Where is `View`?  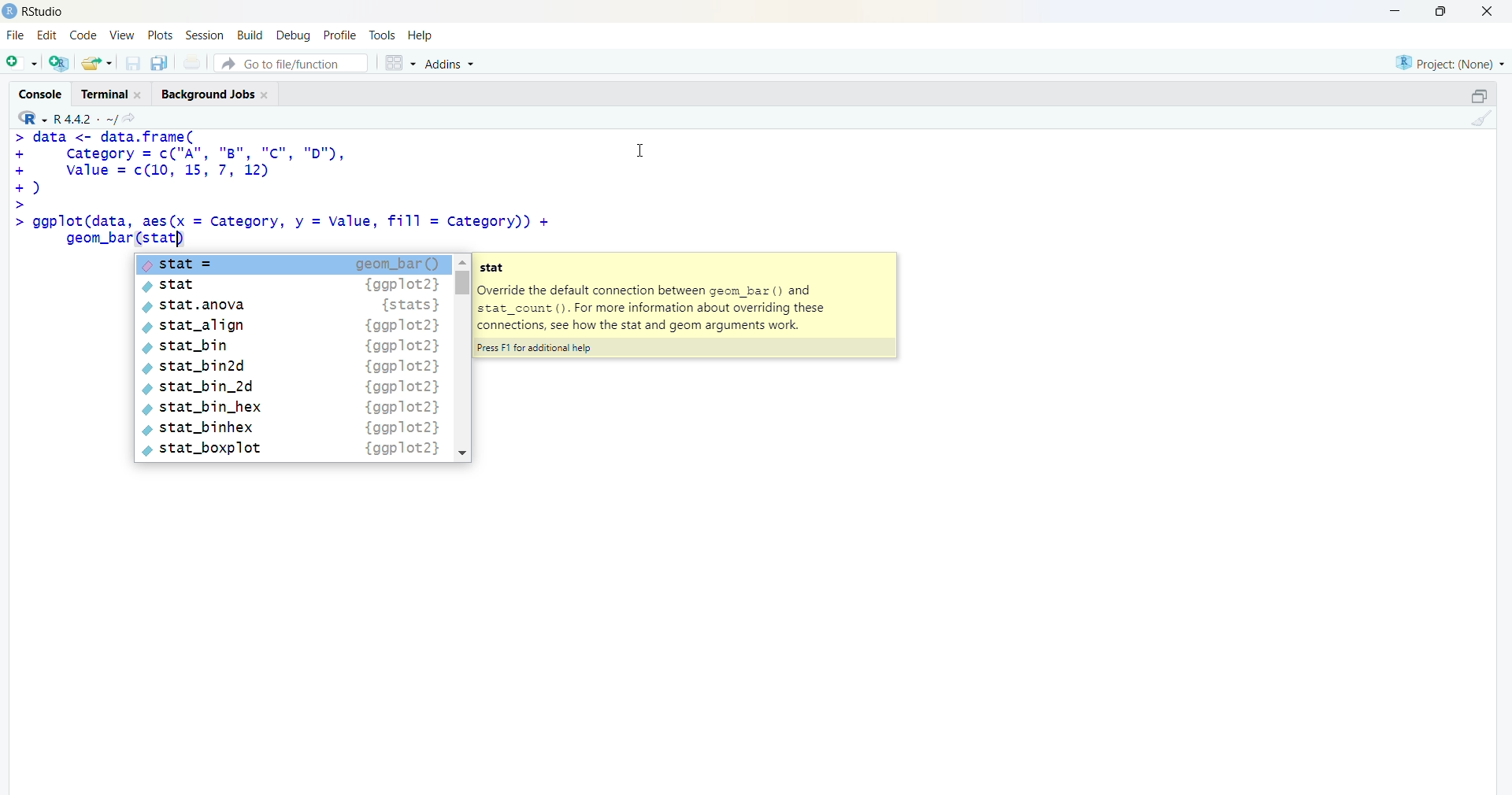
View is located at coordinates (123, 35).